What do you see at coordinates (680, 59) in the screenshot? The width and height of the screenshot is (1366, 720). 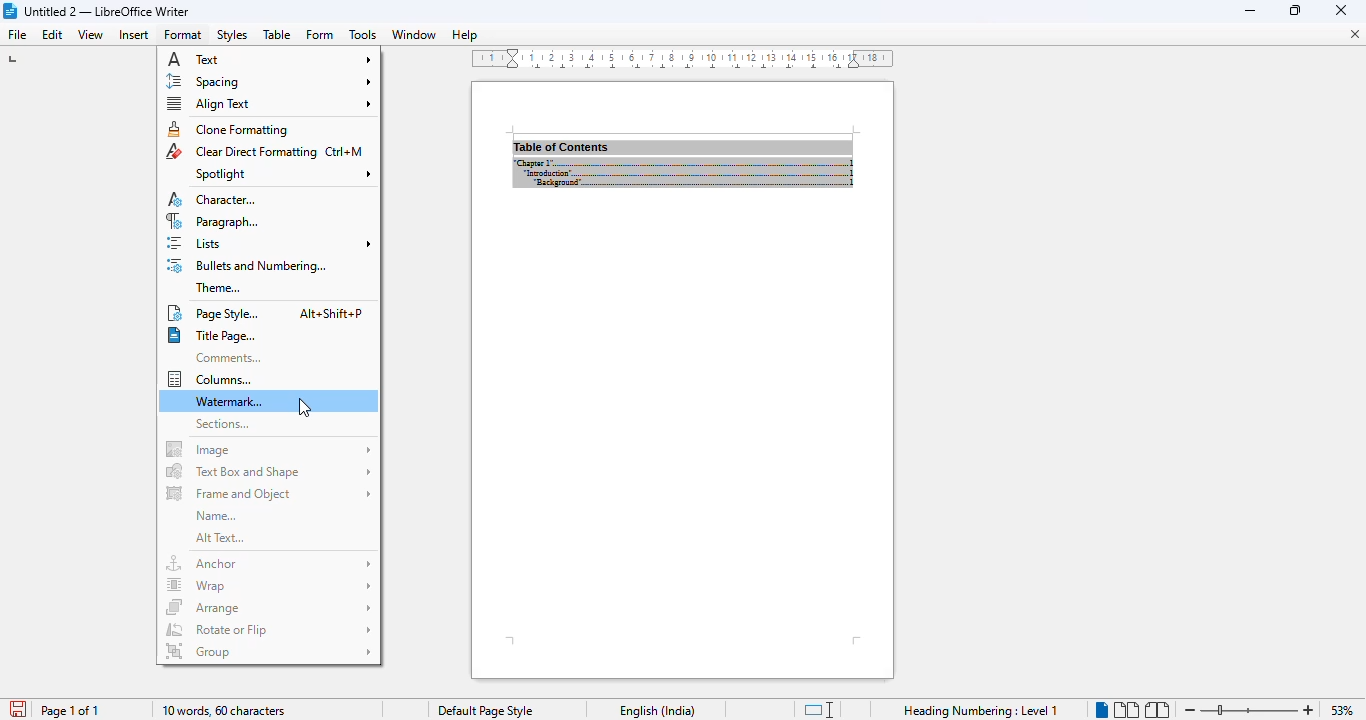 I see `ruler` at bounding box center [680, 59].